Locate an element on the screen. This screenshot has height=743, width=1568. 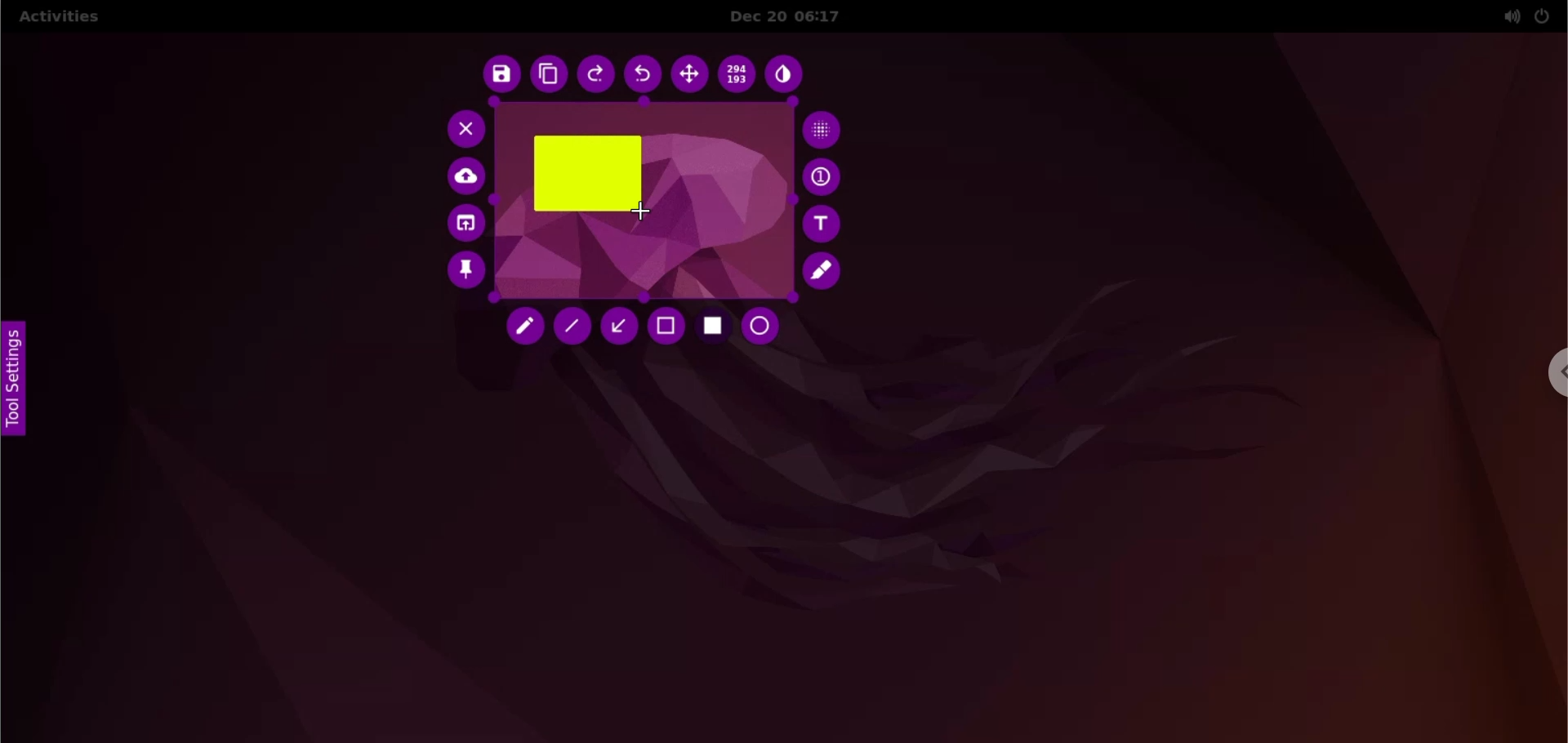
pin is located at coordinates (465, 274).